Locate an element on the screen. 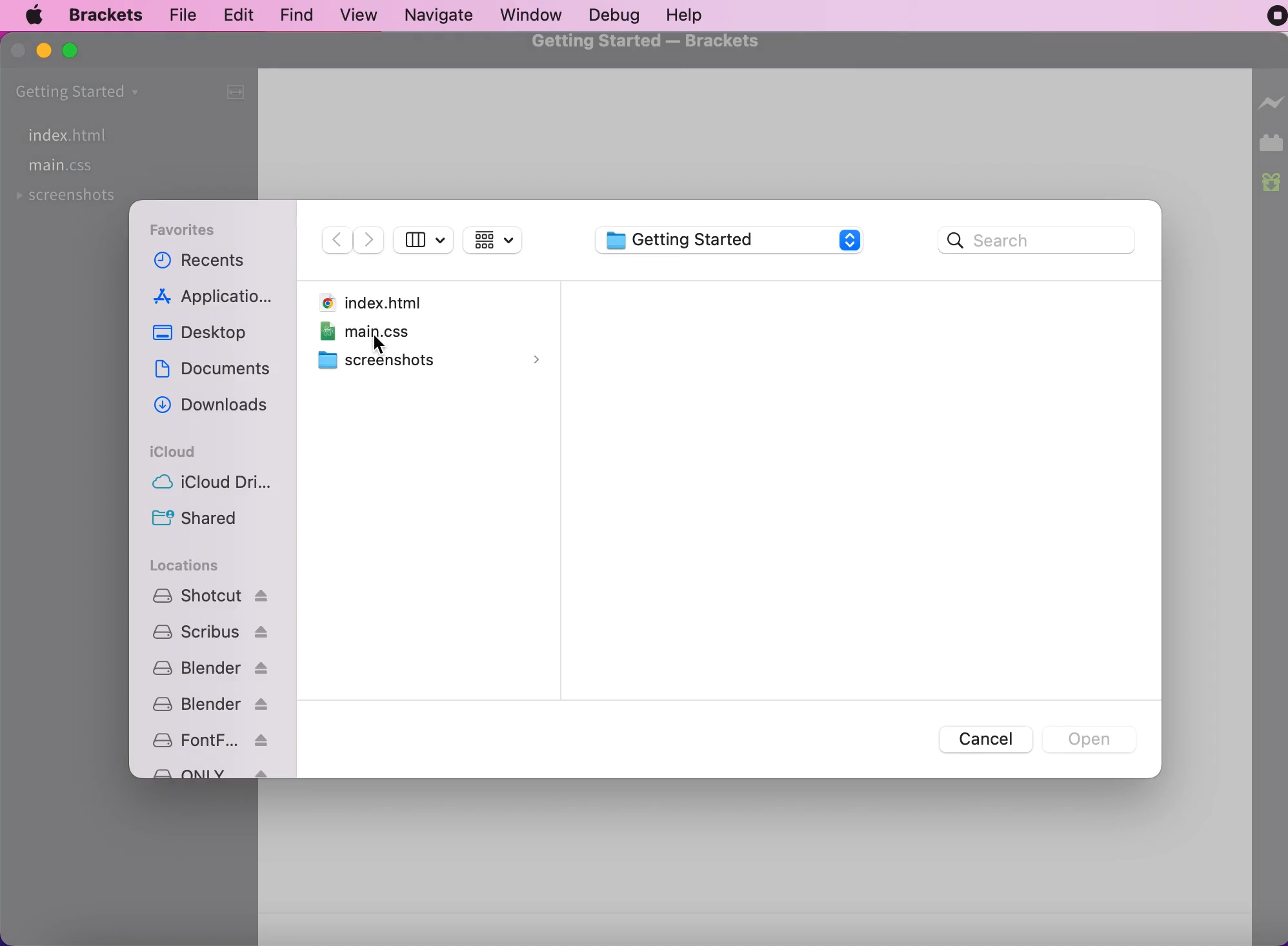 Image resolution: width=1288 pixels, height=946 pixels. mac logo is located at coordinates (35, 17).